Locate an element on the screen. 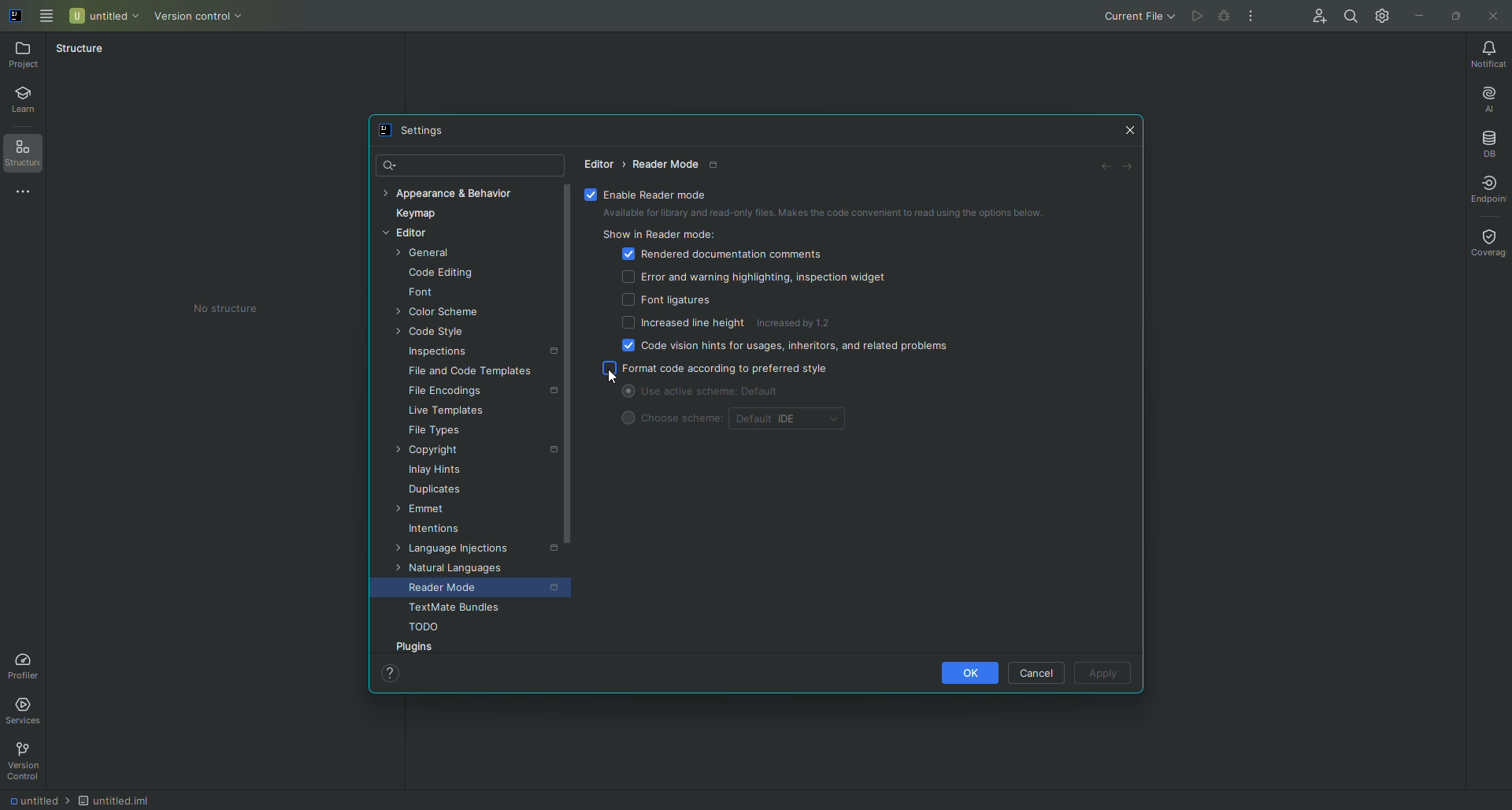 This screenshot has width=1512, height=810. Increased by 1.2 is located at coordinates (800, 321).